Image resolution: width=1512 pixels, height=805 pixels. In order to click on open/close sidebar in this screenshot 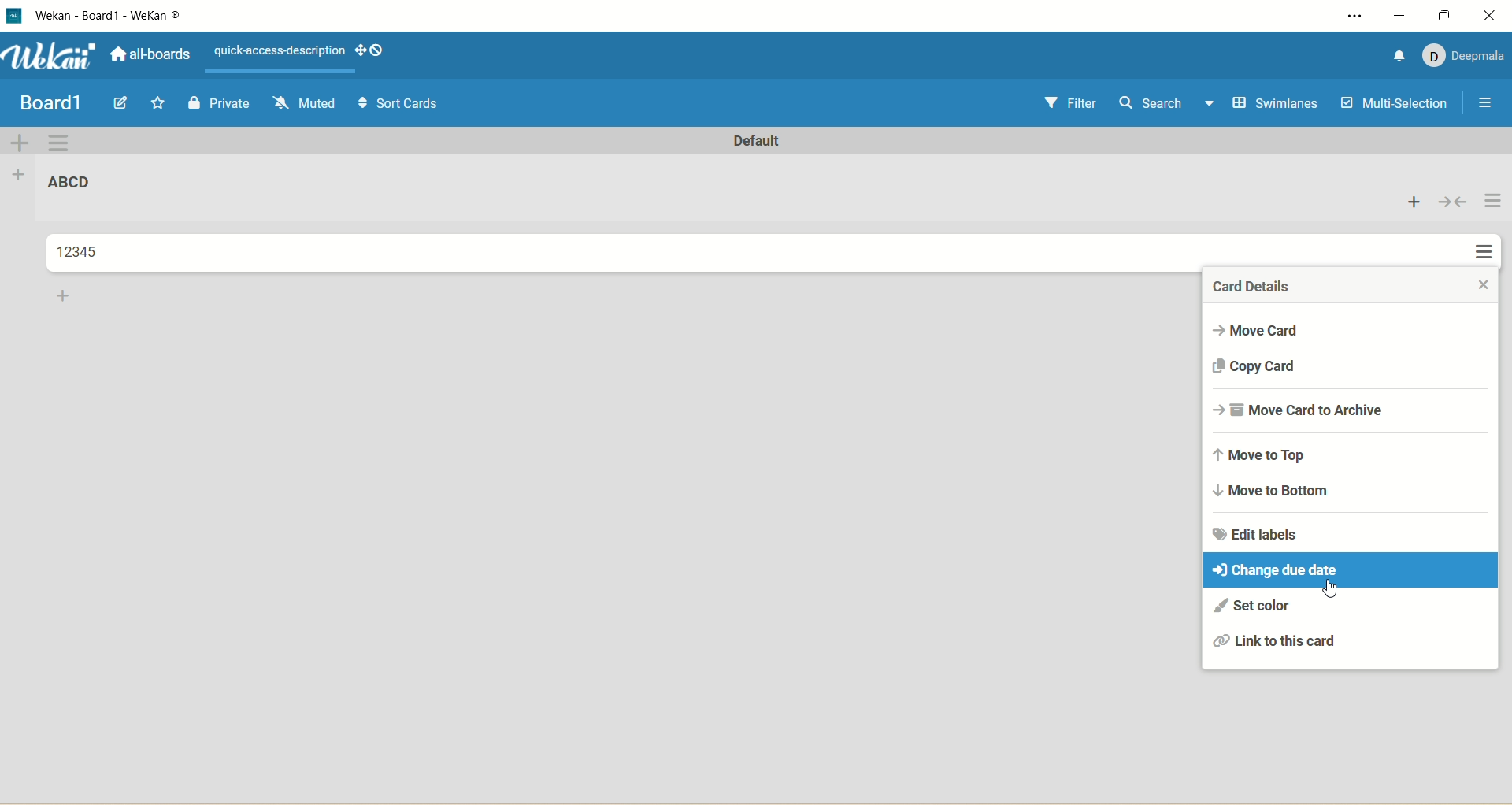, I will do `click(1488, 106)`.